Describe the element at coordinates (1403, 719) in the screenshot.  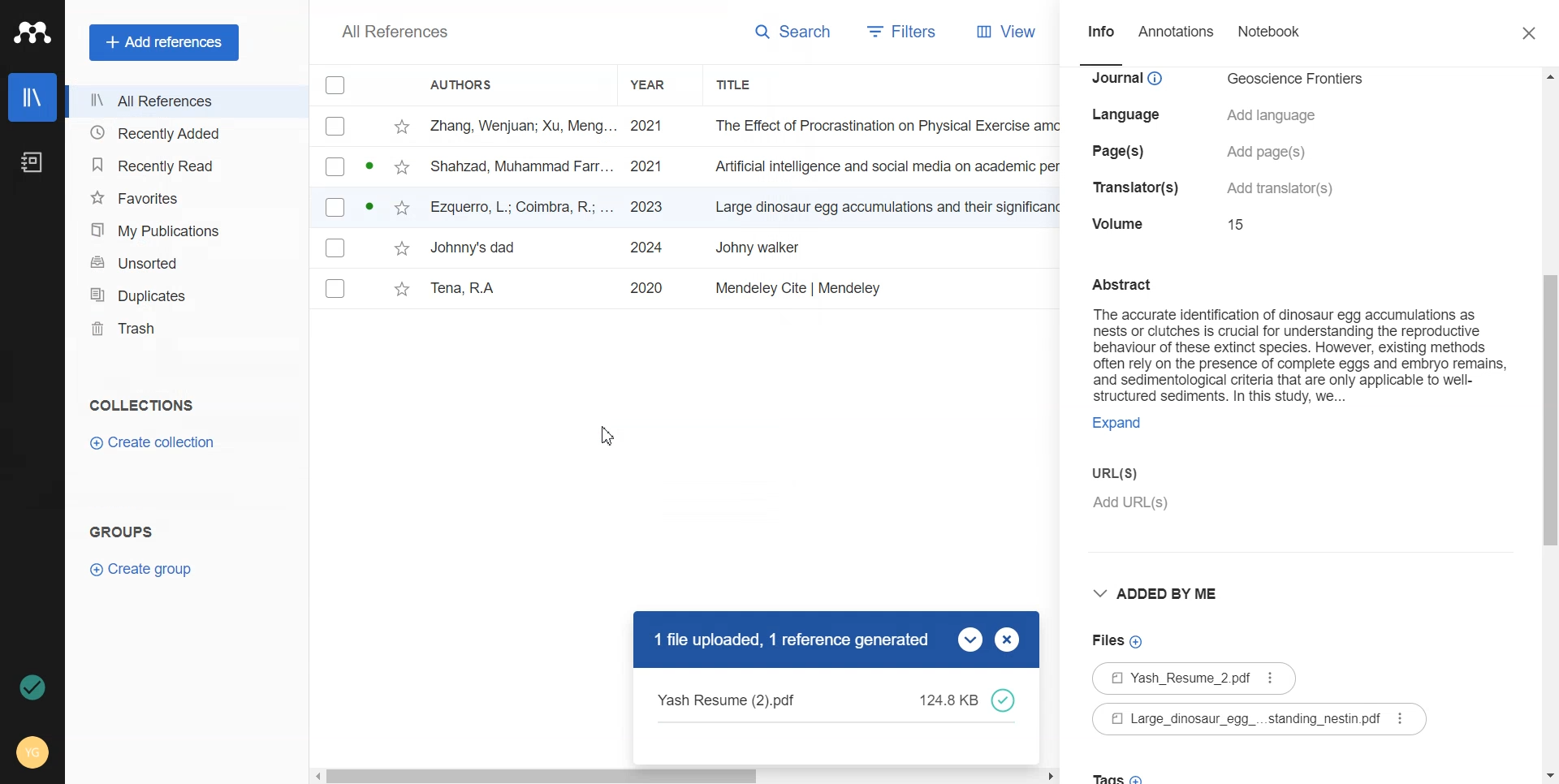
I see `More` at that location.